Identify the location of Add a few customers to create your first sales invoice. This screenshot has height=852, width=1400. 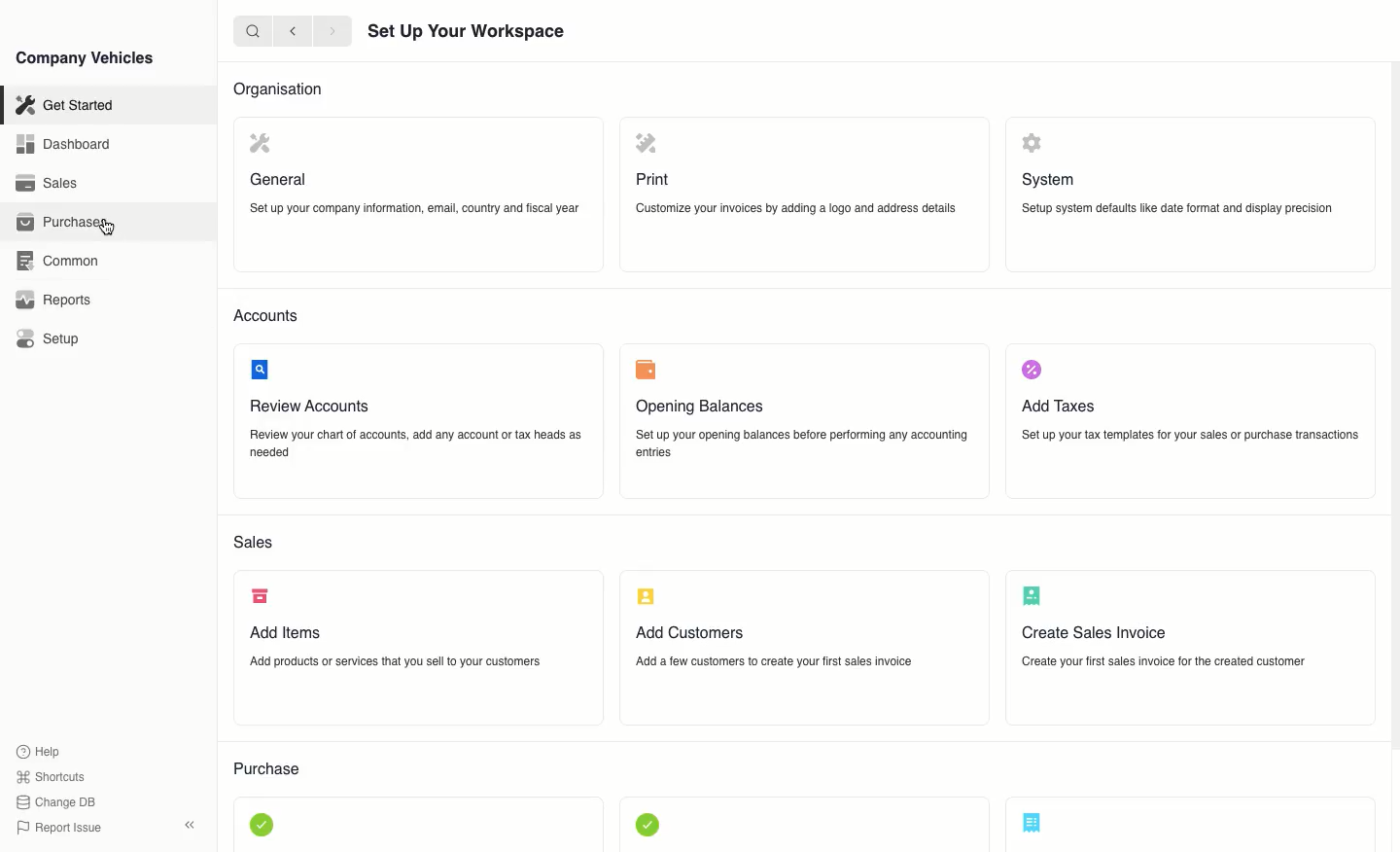
(773, 659).